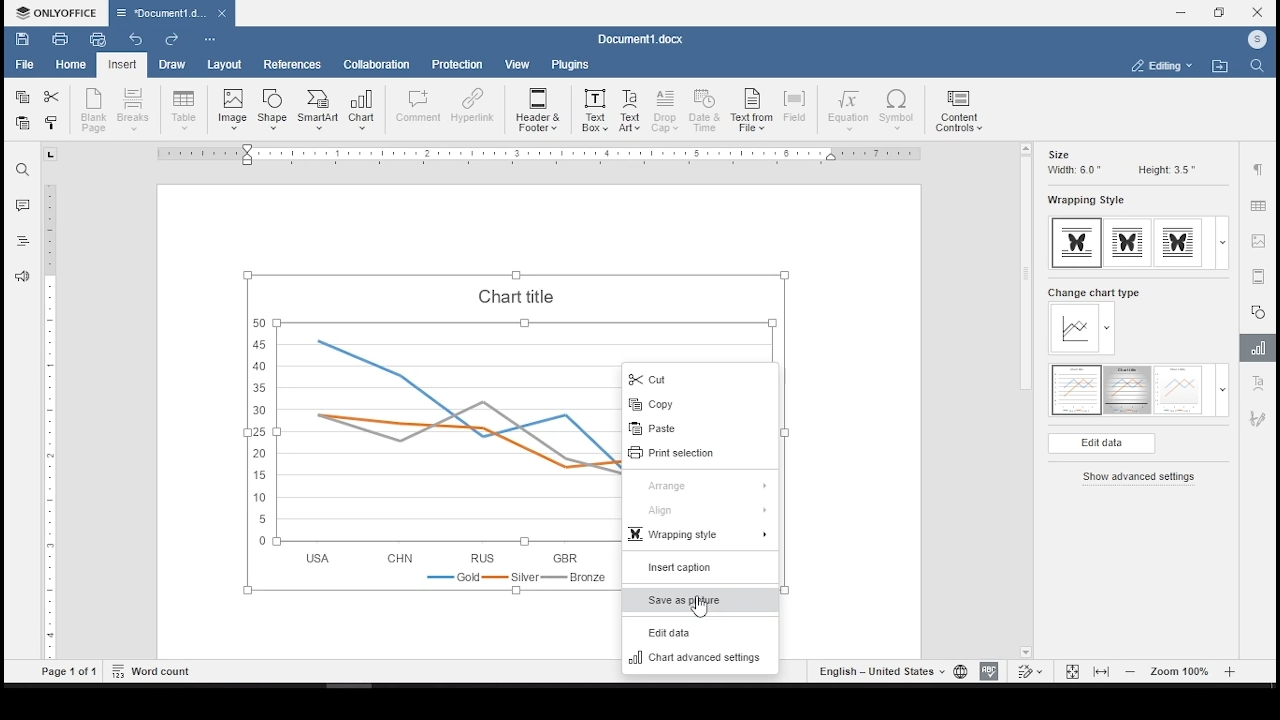  Describe the element at coordinates (1129, 391) in the screenshot. I see `chart style 2` at that location.